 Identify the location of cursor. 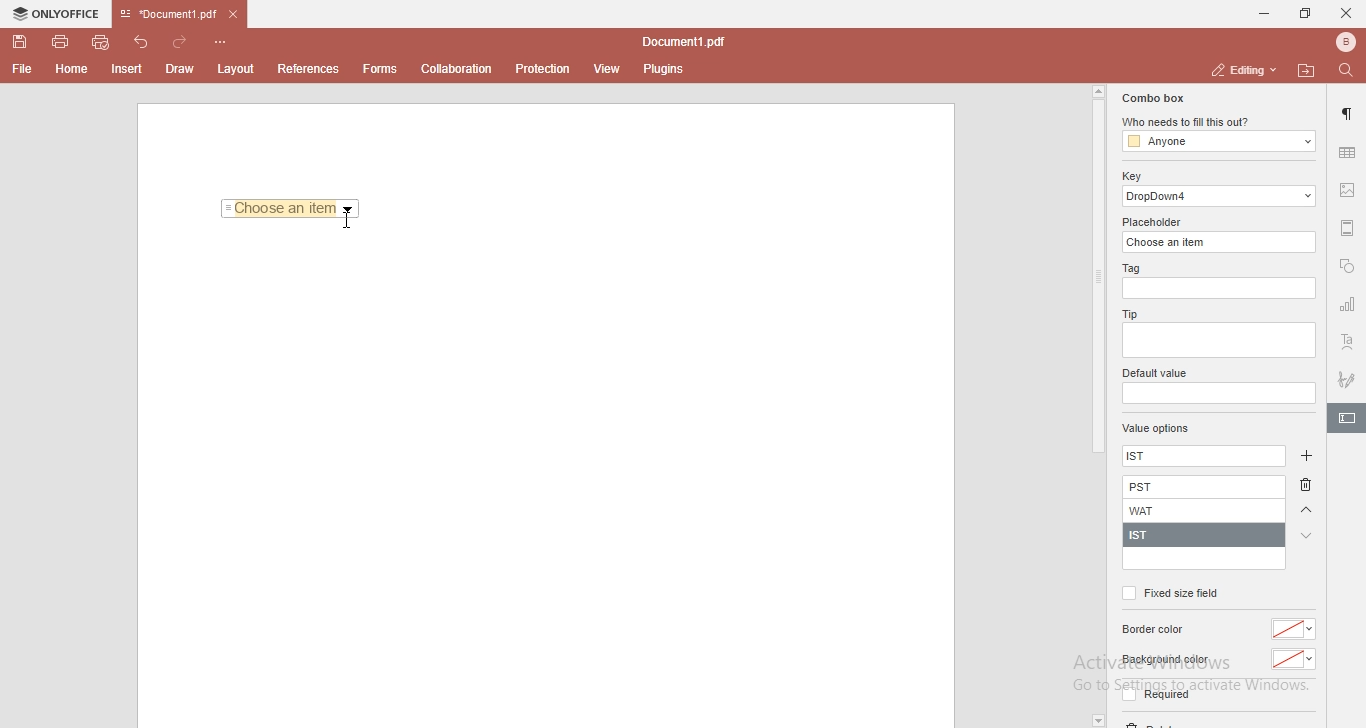
(350, 221).